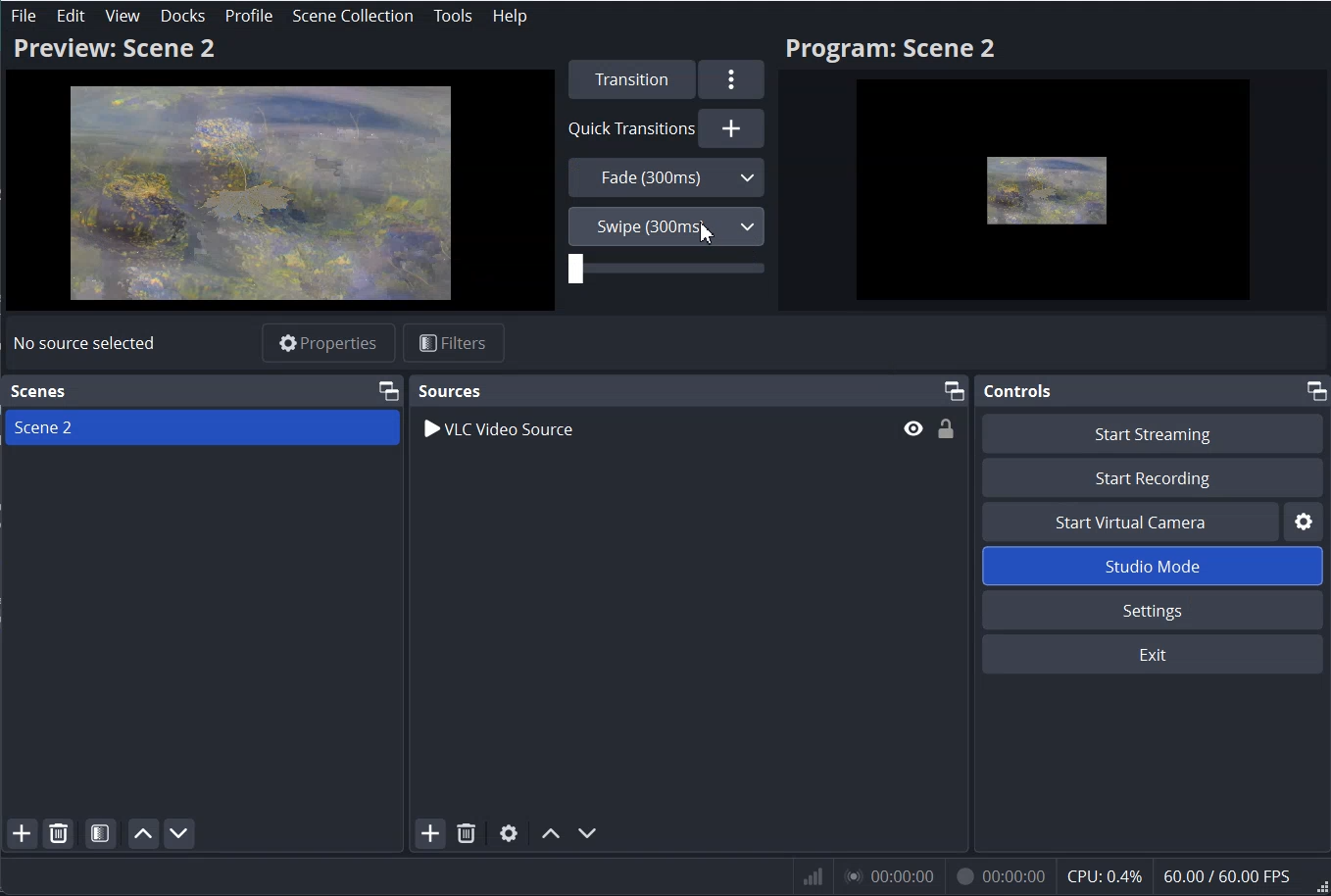 This screenshot has height=896, width=1331. I want to click on Time Adjuster handle, so click(666, 272).